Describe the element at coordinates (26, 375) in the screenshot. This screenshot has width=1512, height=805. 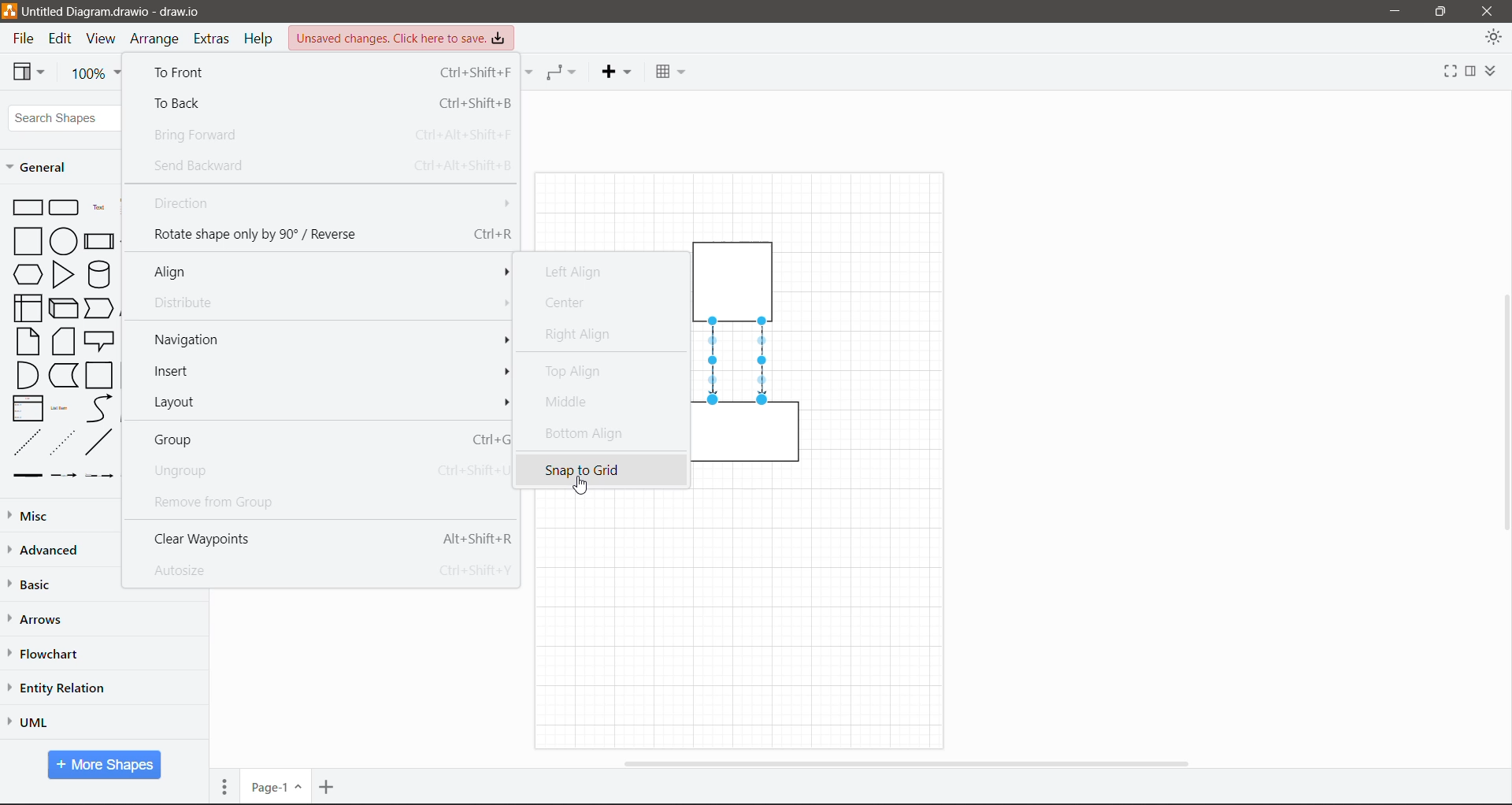
I see `And` at that location.